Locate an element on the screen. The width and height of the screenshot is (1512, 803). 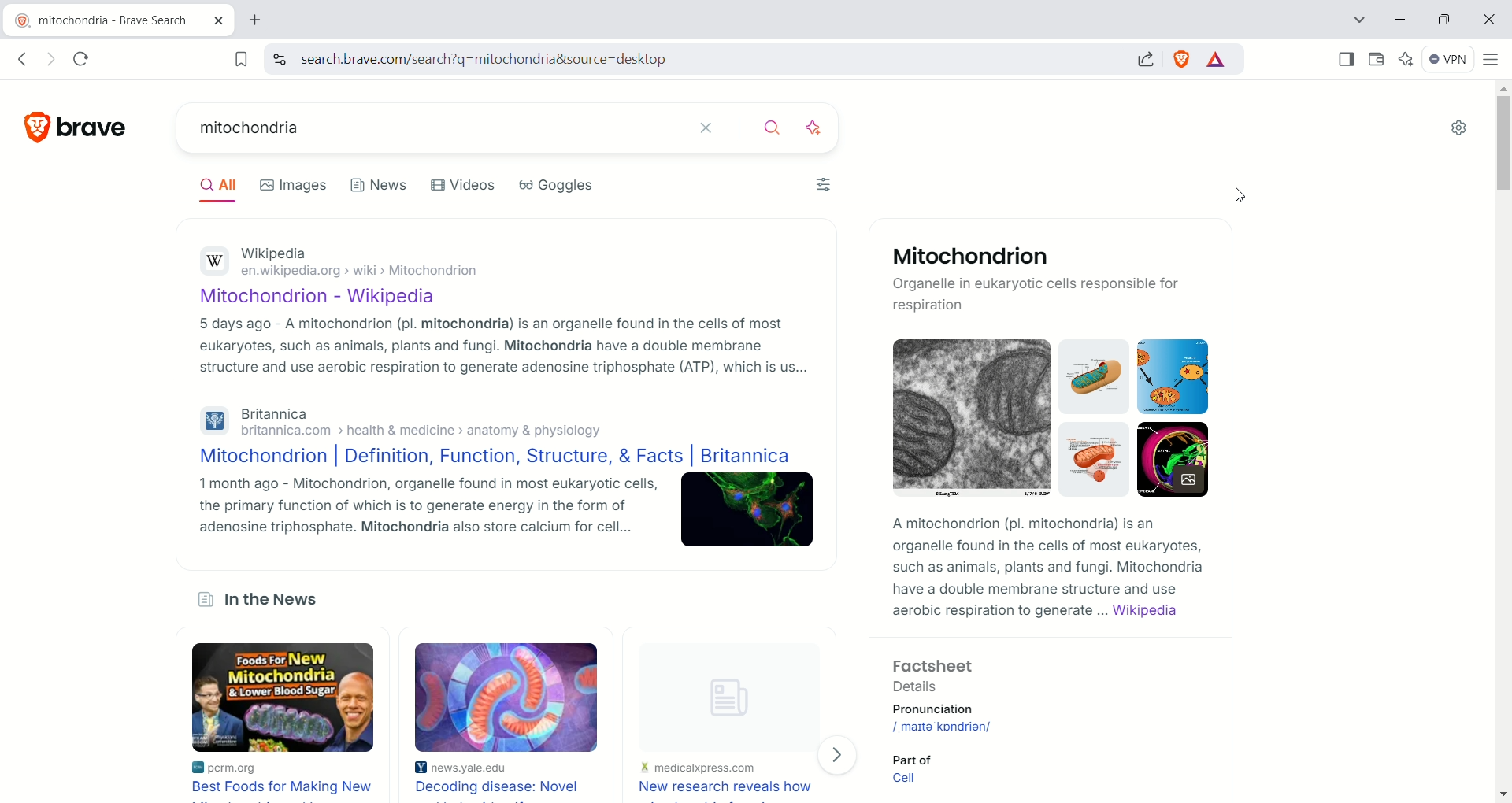
Wikipedia is located at coordinates (1165, 611).